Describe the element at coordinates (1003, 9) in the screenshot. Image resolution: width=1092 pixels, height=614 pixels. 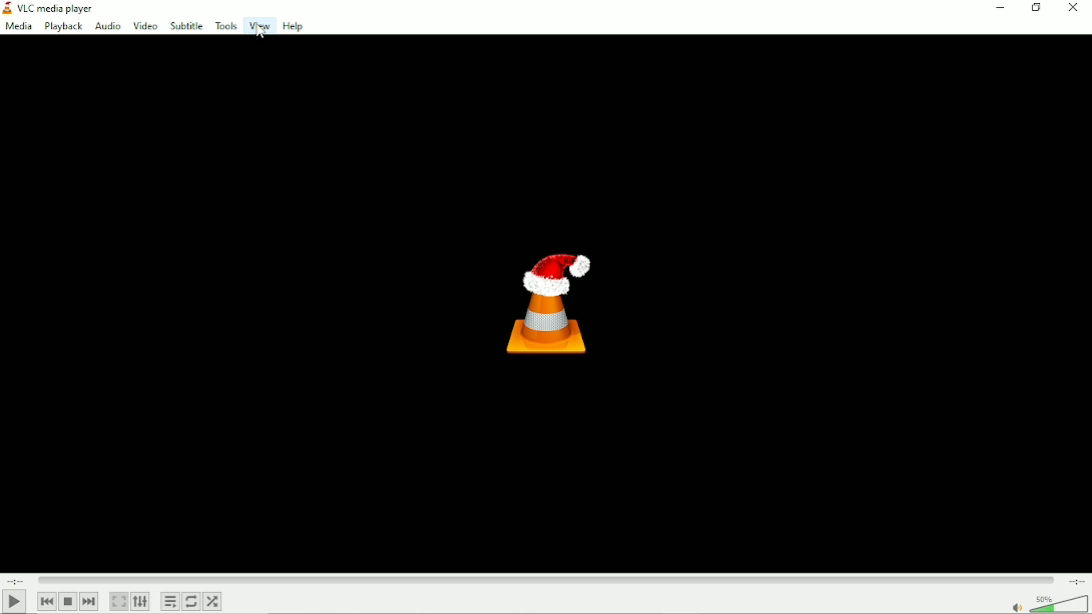
I see `Minimize` at that location.